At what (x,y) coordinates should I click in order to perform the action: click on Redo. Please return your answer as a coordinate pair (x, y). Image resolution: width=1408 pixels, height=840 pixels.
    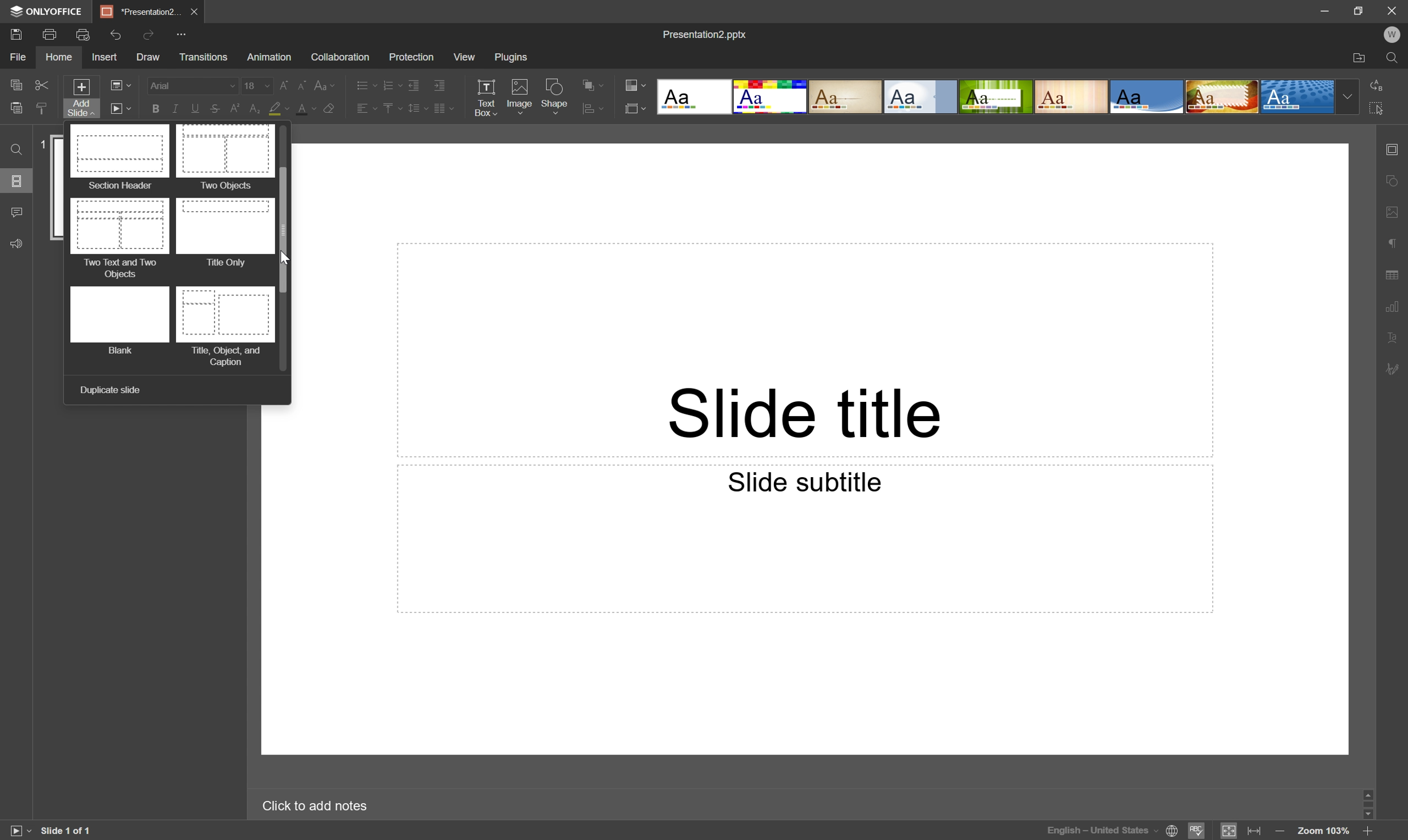
    Looking at the image, I should click on (151, 35).